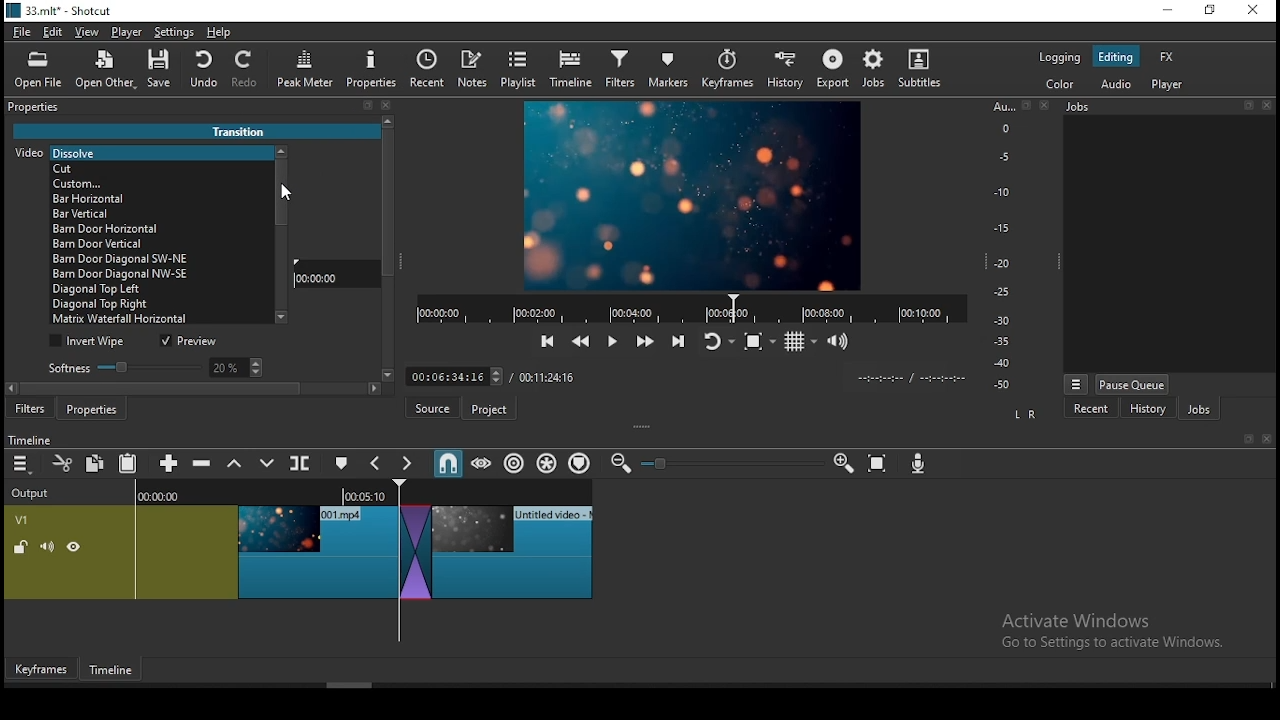 This screenshot has height=720, width=1280. Describe the element at coordinates (21, 464) in the screenshot. I see `menu` at that location.